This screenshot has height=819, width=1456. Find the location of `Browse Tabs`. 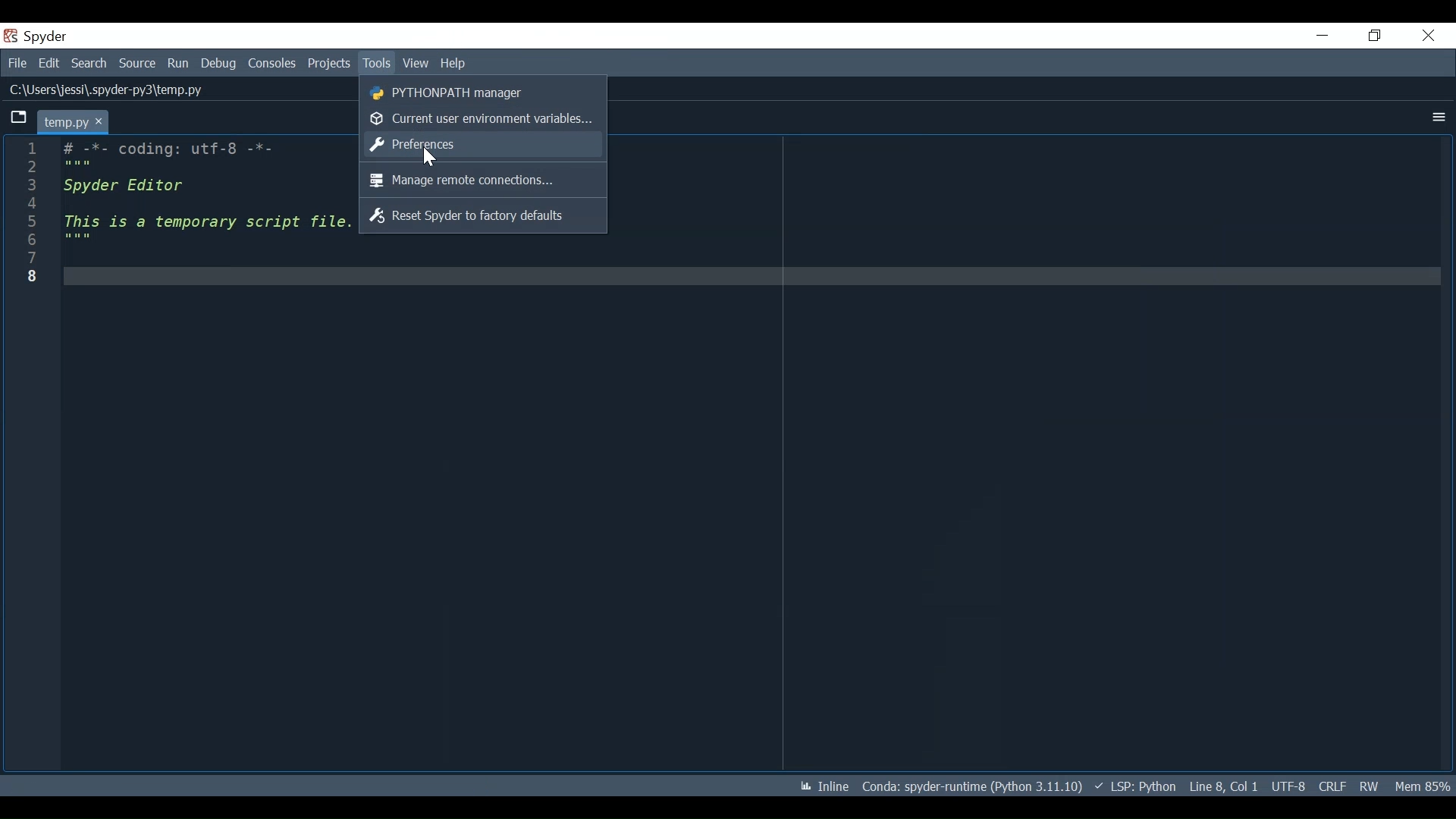

Browse Tabs is located at coordinates (14, 118).